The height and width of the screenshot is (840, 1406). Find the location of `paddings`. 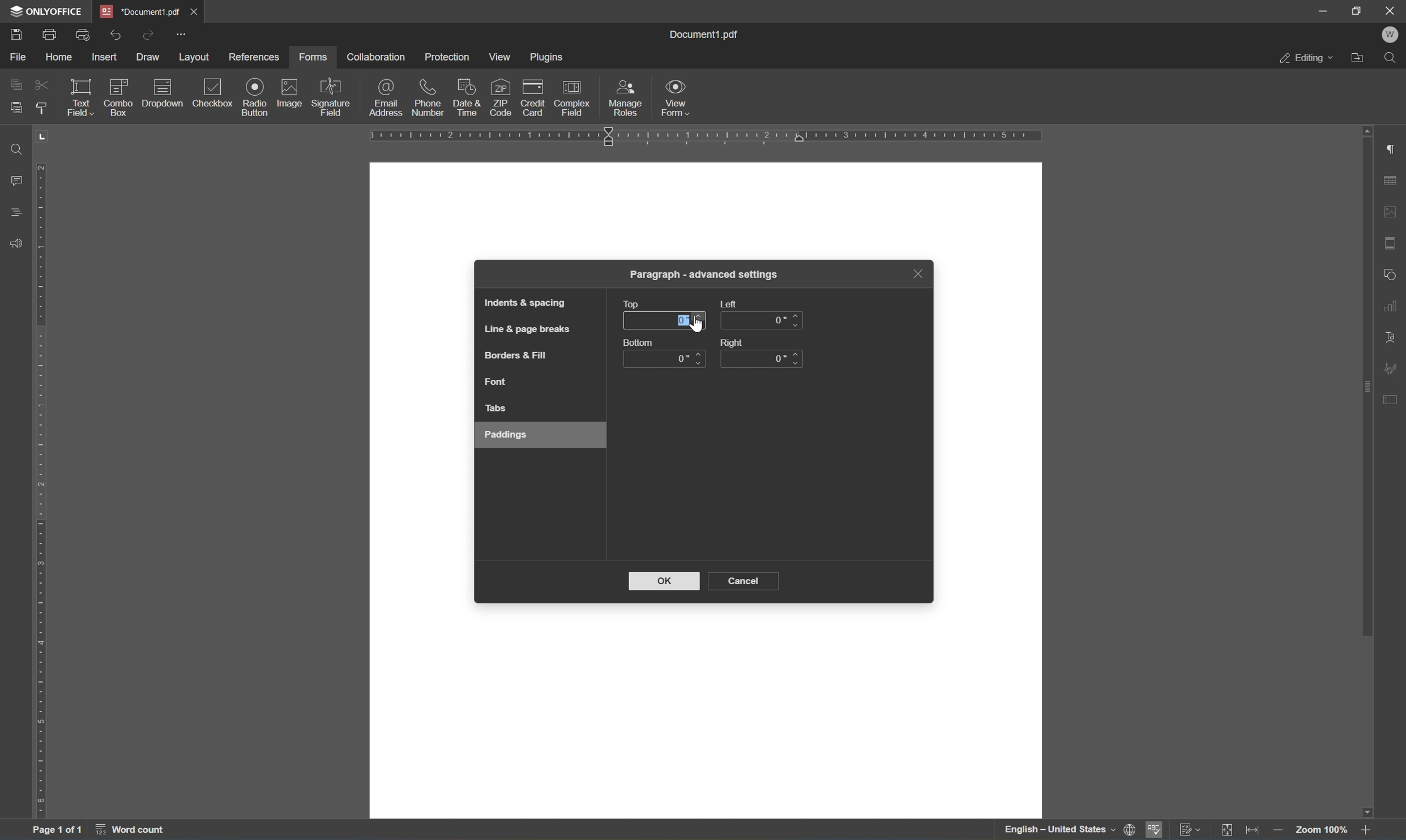

paddings is located at coordinates (508, 434).